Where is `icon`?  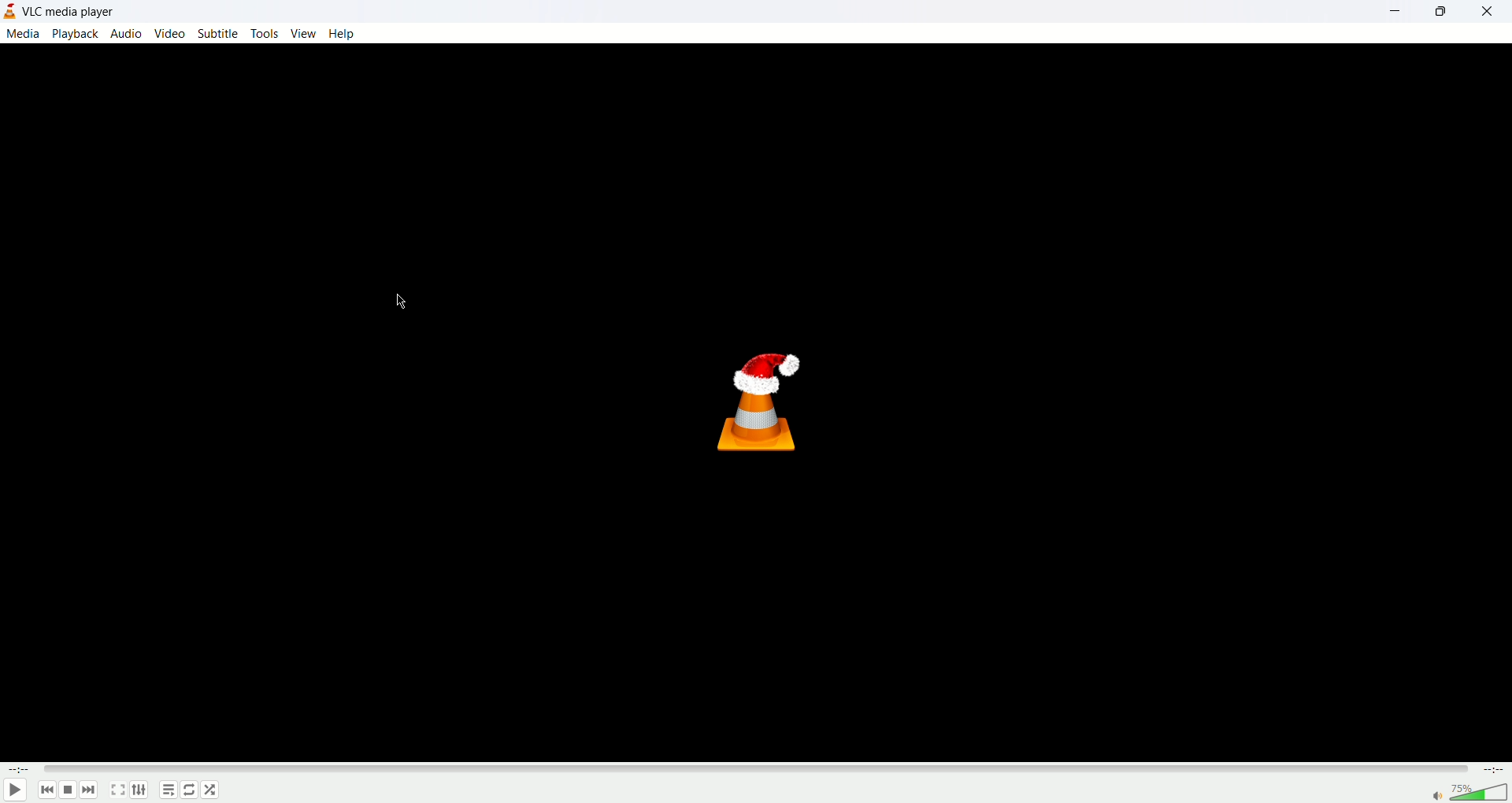
icon is located at coordinates (767, 400).